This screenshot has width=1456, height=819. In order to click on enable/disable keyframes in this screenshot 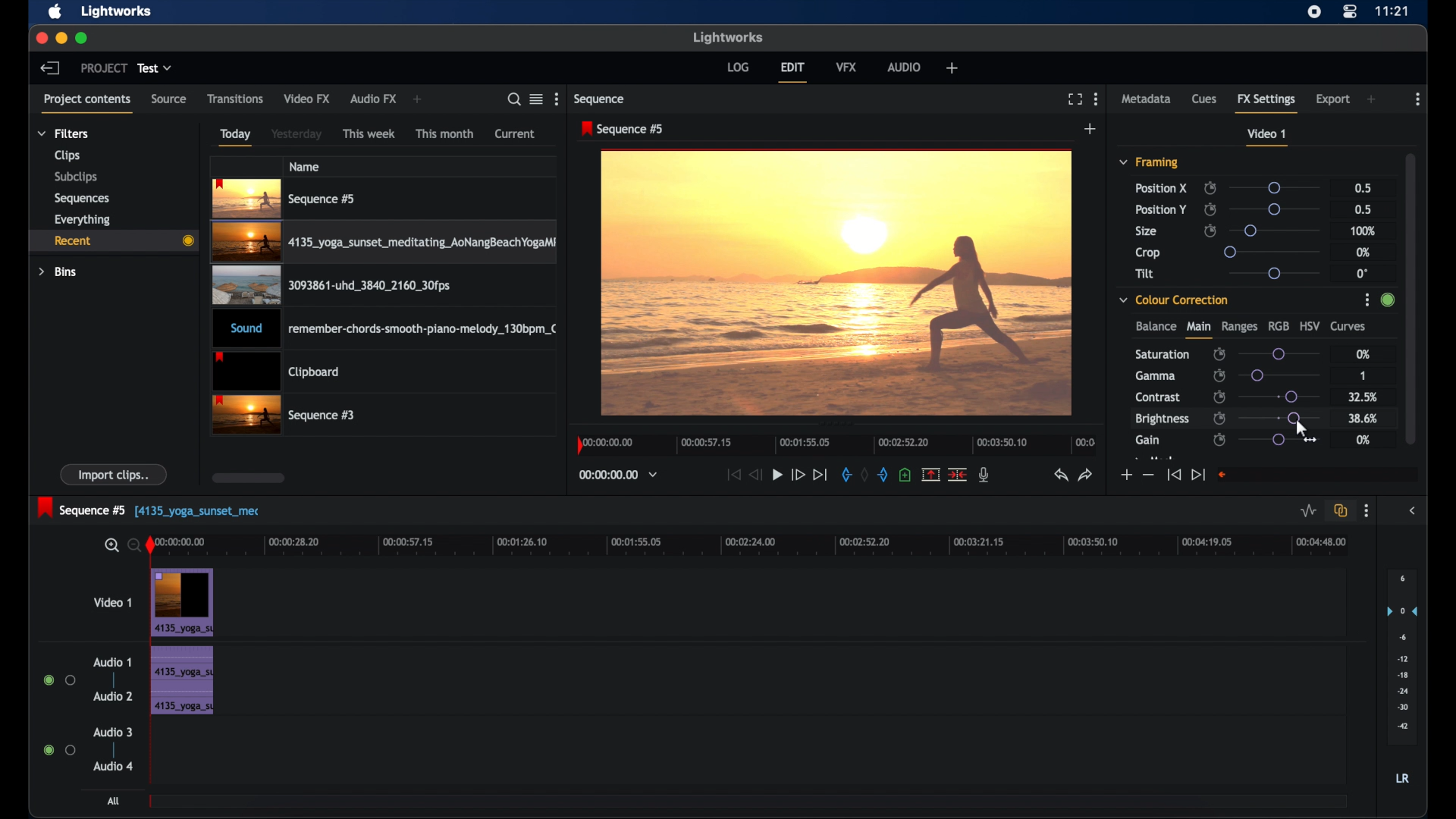, I will do `click(1219, 396)`.